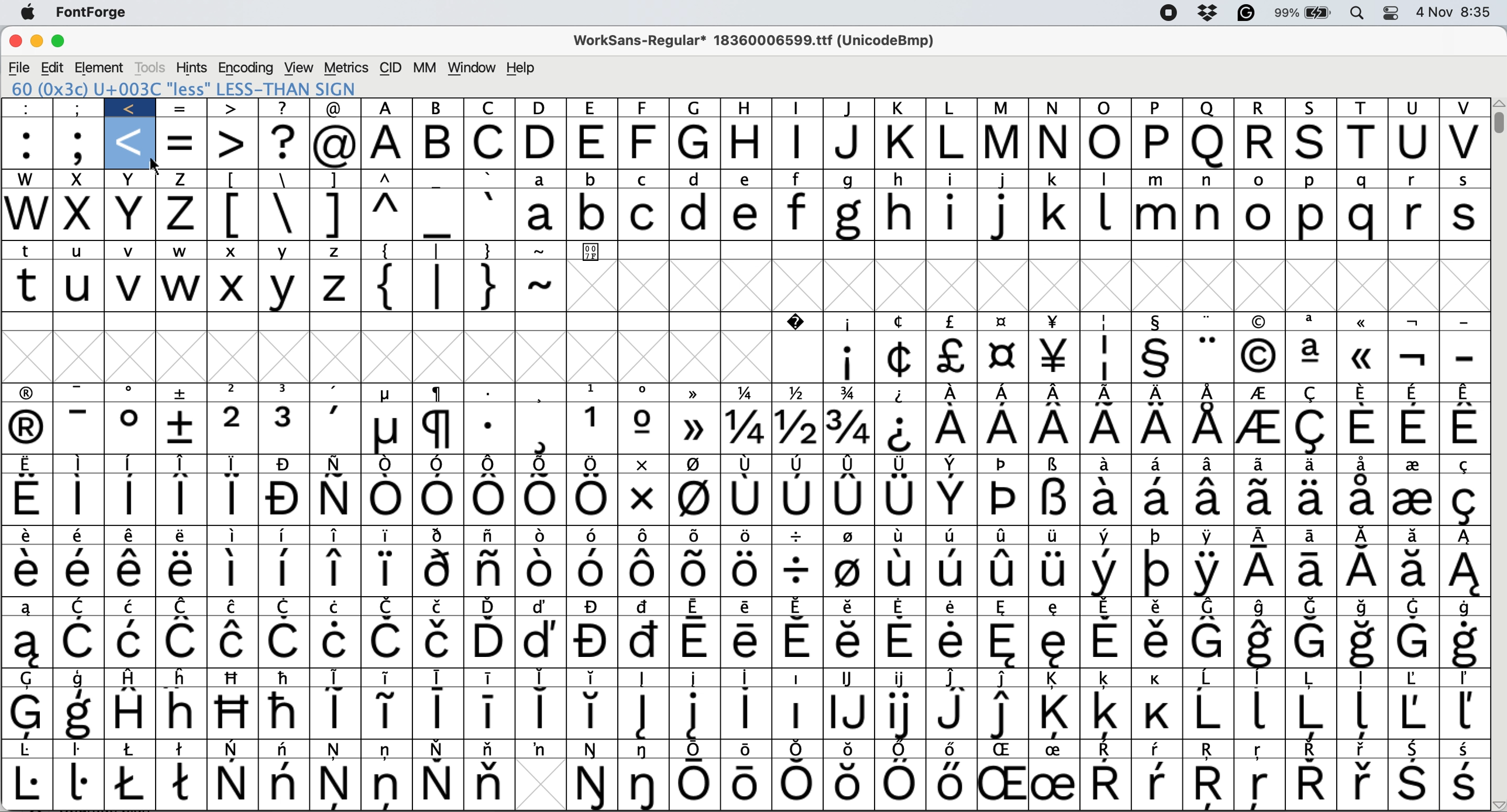 Image resolution: width=1507 pixels, height=812 pixels. Describe the element at coordinates (796, 536) in the screenshot. I see `Symbol` at that location.